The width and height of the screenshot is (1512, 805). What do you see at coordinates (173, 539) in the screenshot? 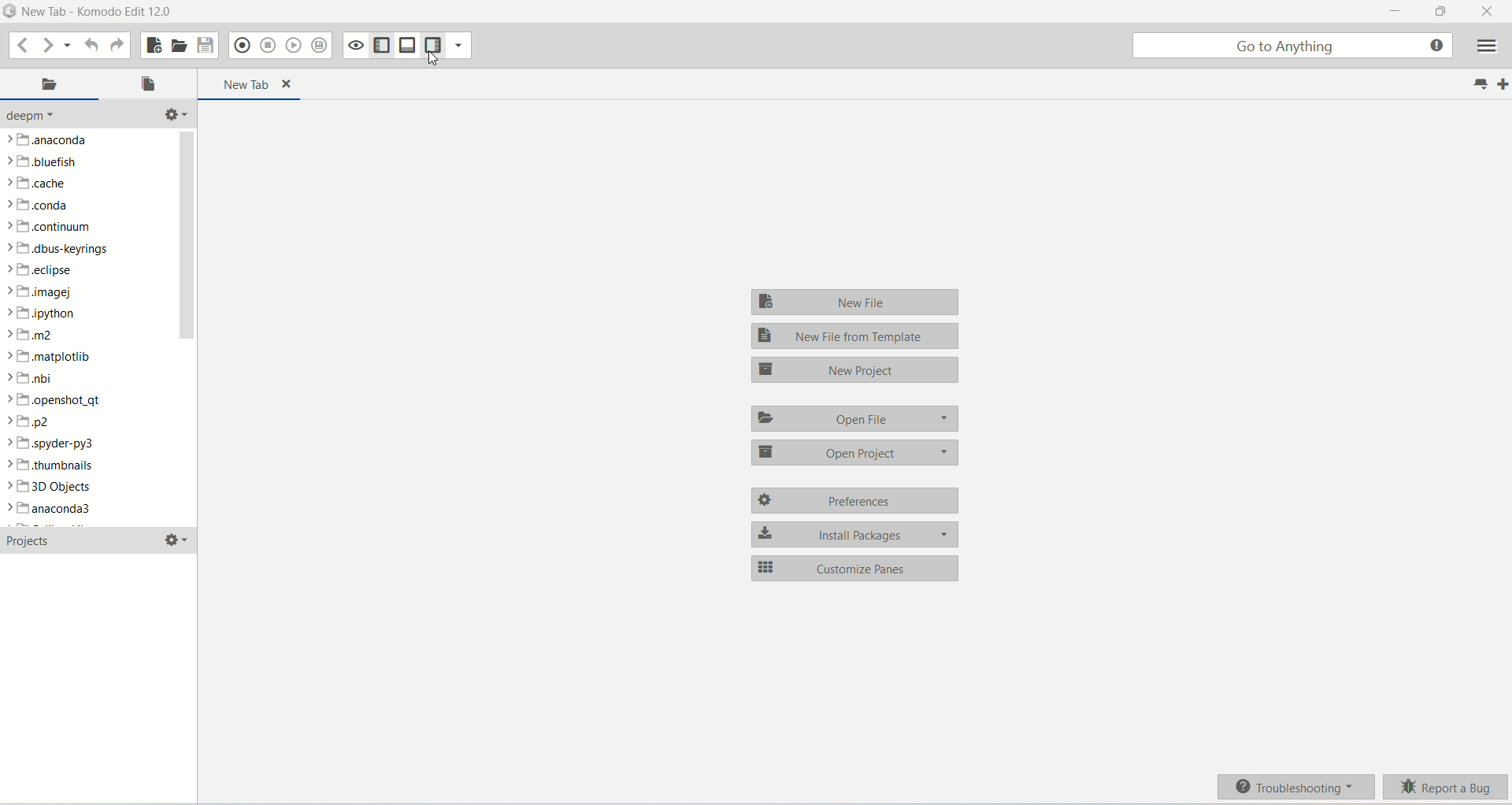
I see `options` at bounding box center [173, 539].